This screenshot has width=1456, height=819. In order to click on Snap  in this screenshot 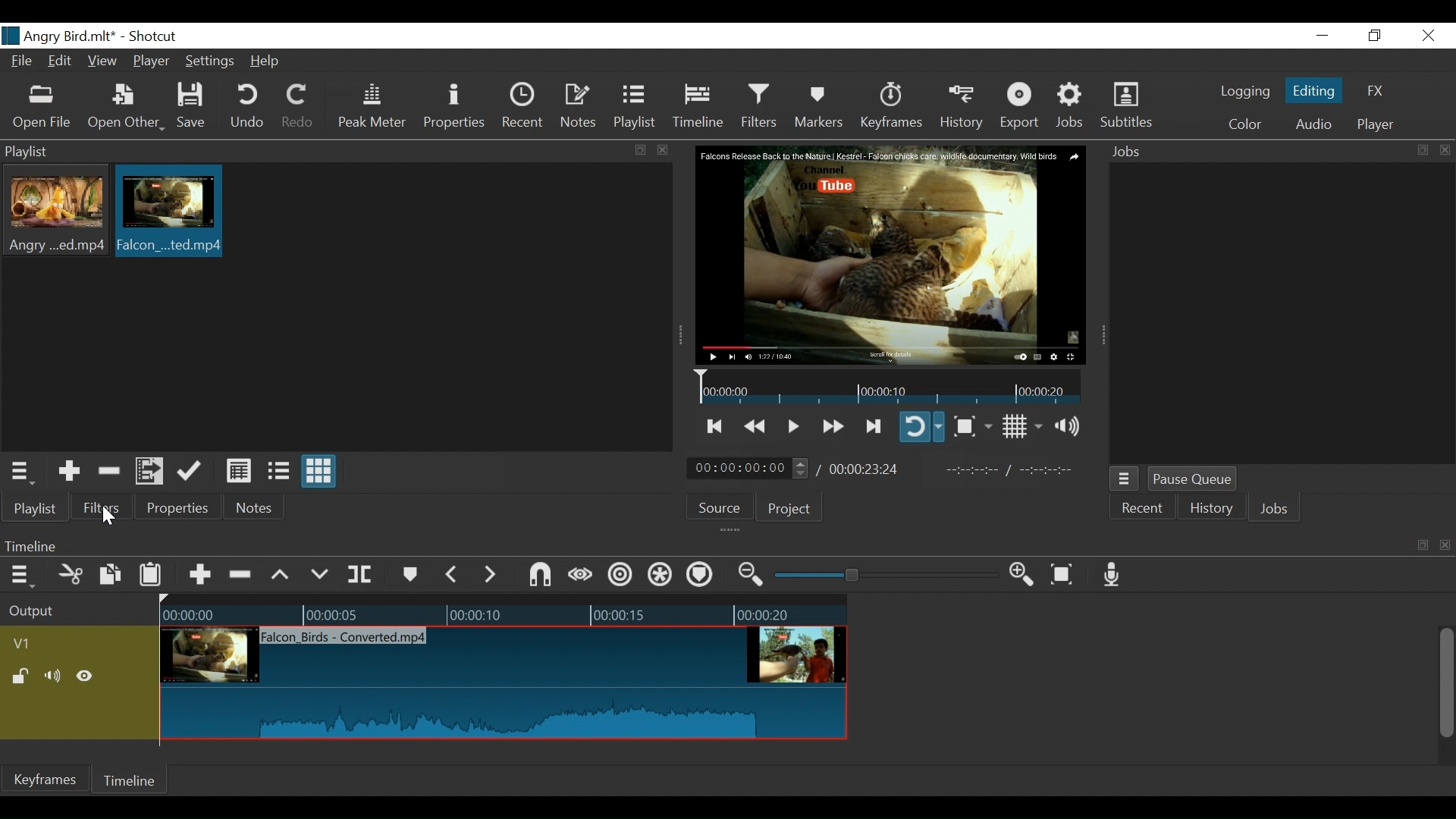, I will do `click(540, 576)`.